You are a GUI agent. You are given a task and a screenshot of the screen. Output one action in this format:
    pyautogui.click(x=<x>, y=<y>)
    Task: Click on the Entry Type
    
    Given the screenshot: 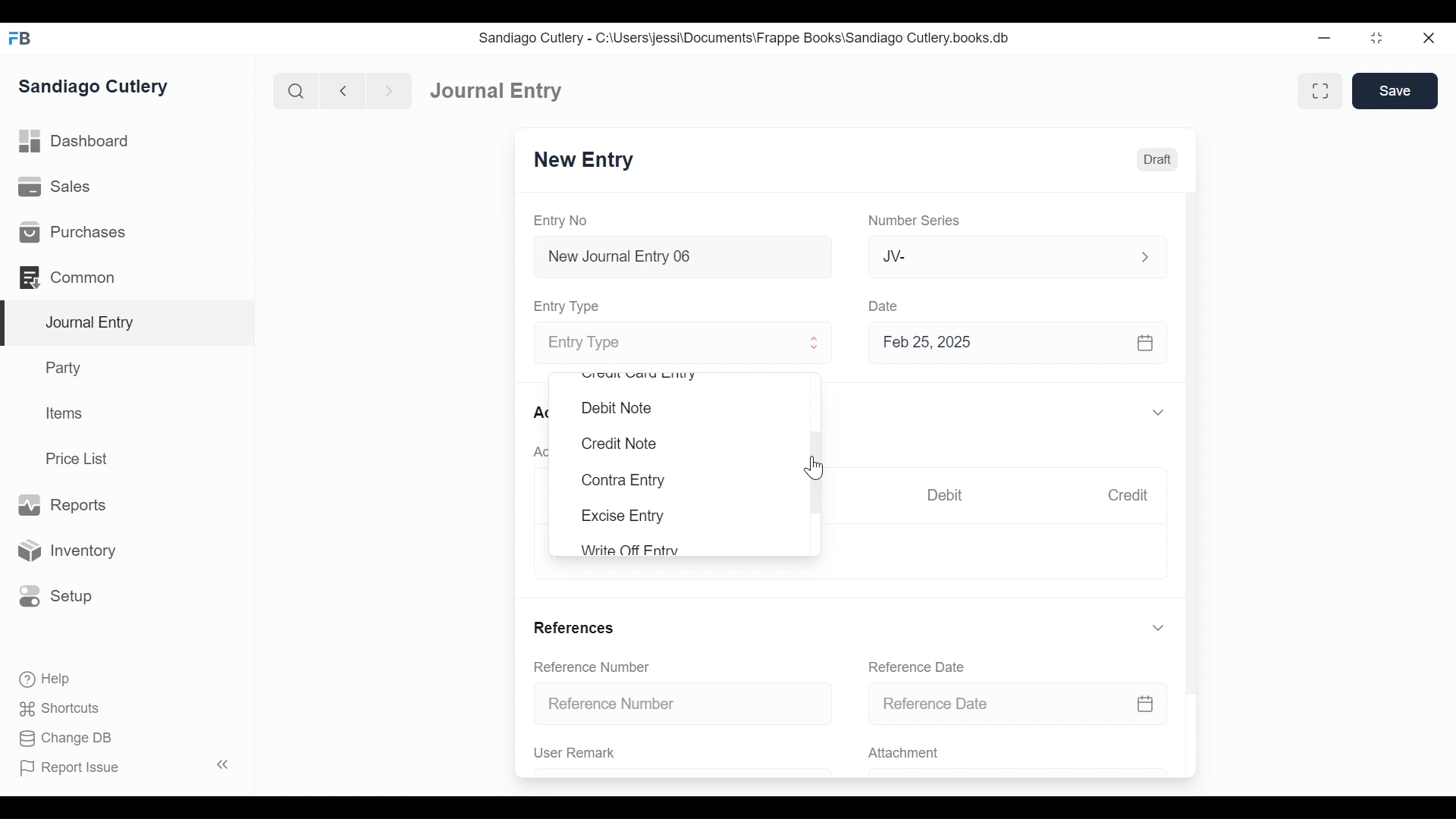 What is the action you would take?
    pyautogui.click(x=569, y=306)
    